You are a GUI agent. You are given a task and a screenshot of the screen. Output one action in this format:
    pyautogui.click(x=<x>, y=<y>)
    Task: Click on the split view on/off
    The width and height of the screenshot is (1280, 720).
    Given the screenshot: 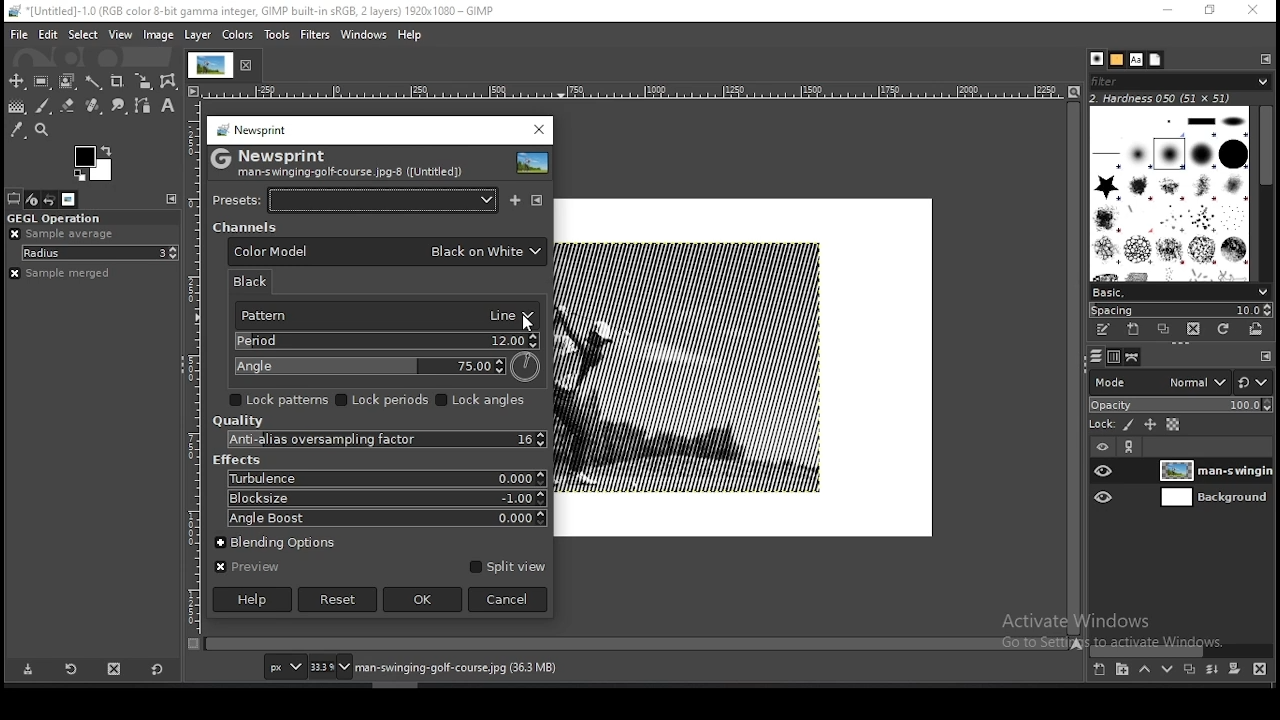 What is the action you would take?
    pyautogui.click(x=505, y=566)
    